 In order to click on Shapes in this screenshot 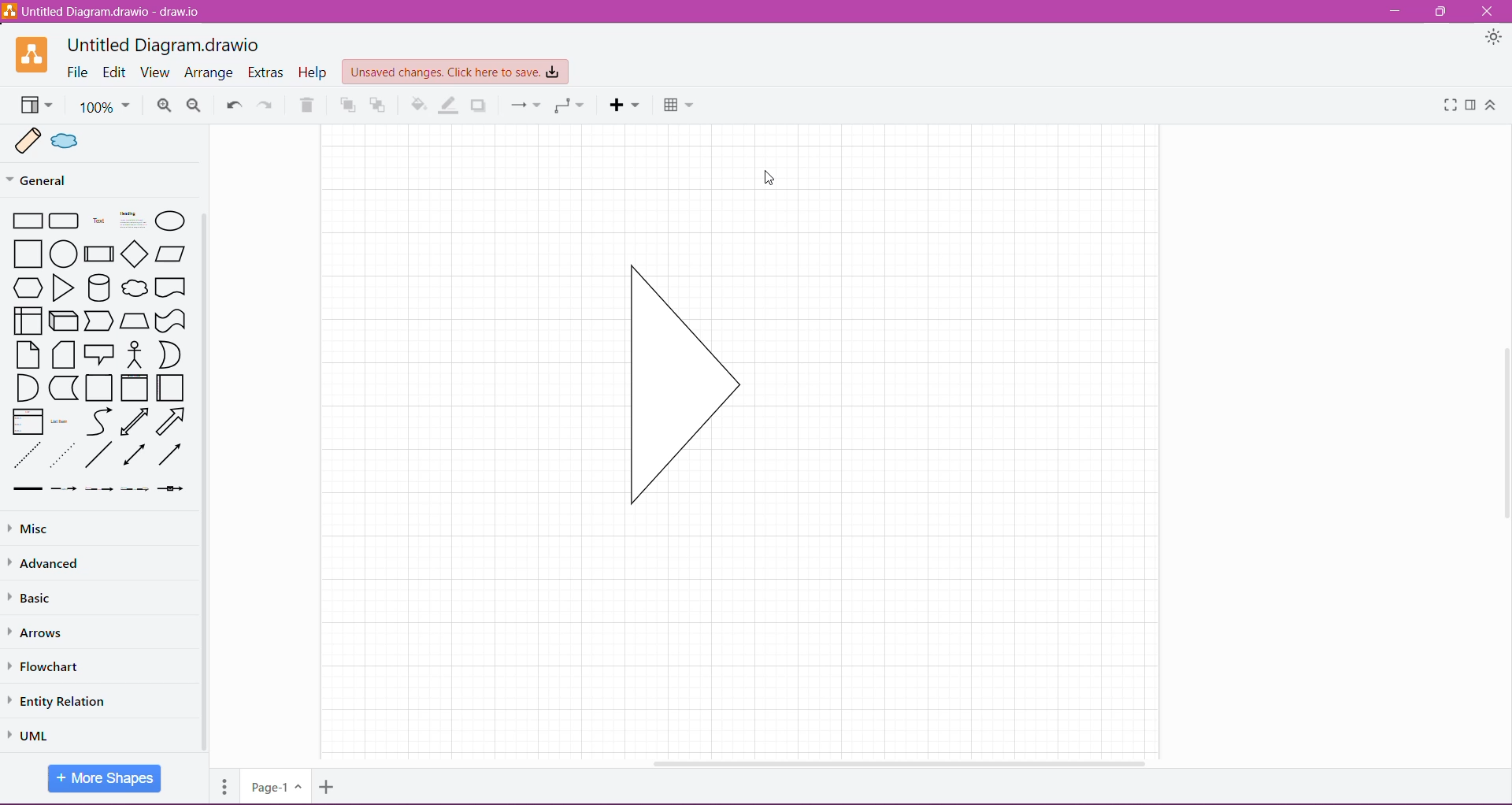, I will do `click(100, 351)`.